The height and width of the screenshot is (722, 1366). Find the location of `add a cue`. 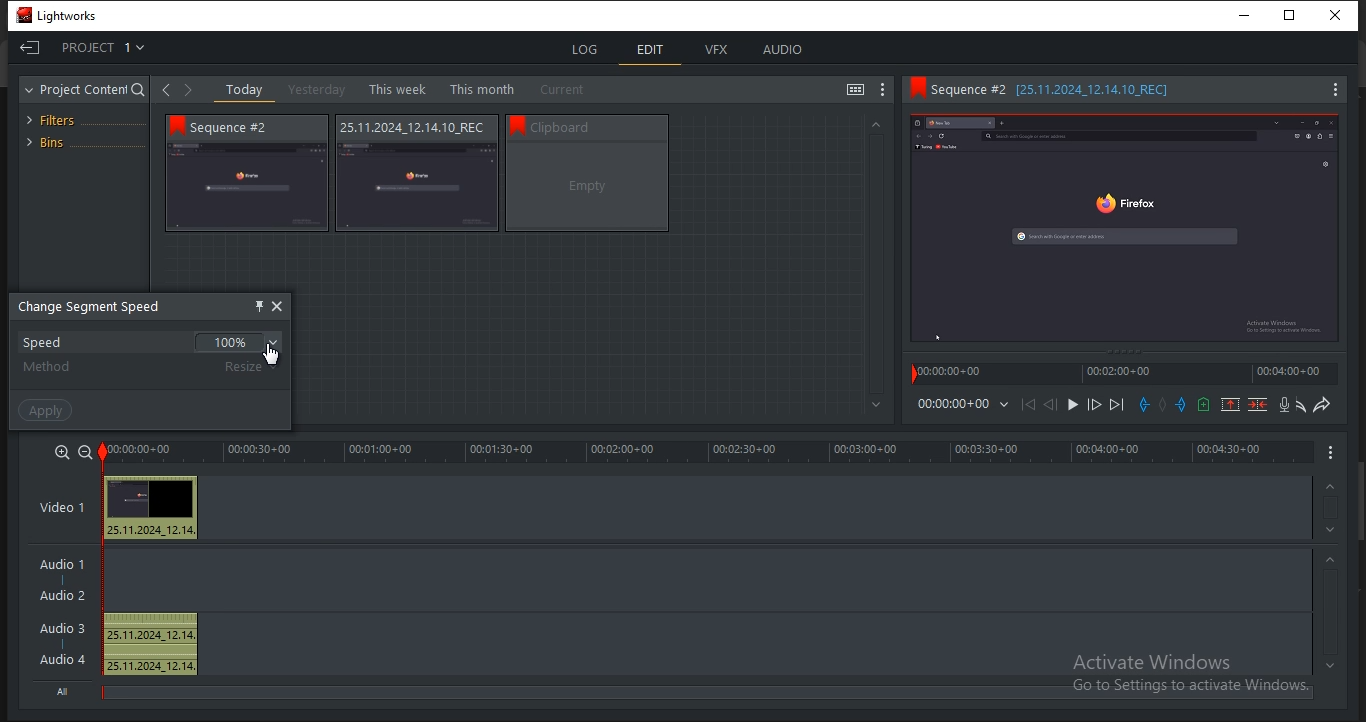

add a cue is located at coordinates (1204, 405).